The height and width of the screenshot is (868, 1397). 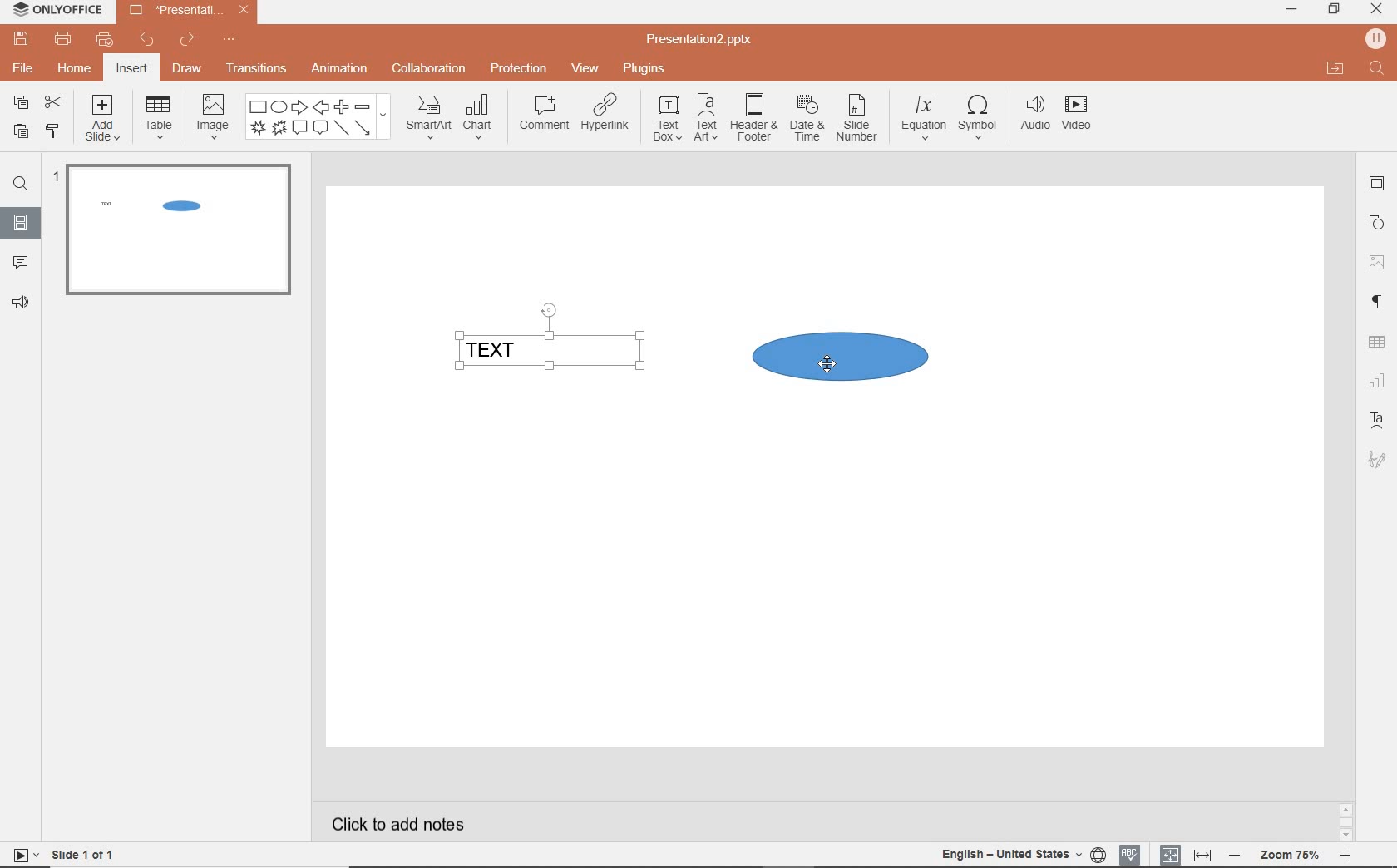 I want to click on SCROLLBAR, so click(x=1346, y=821).